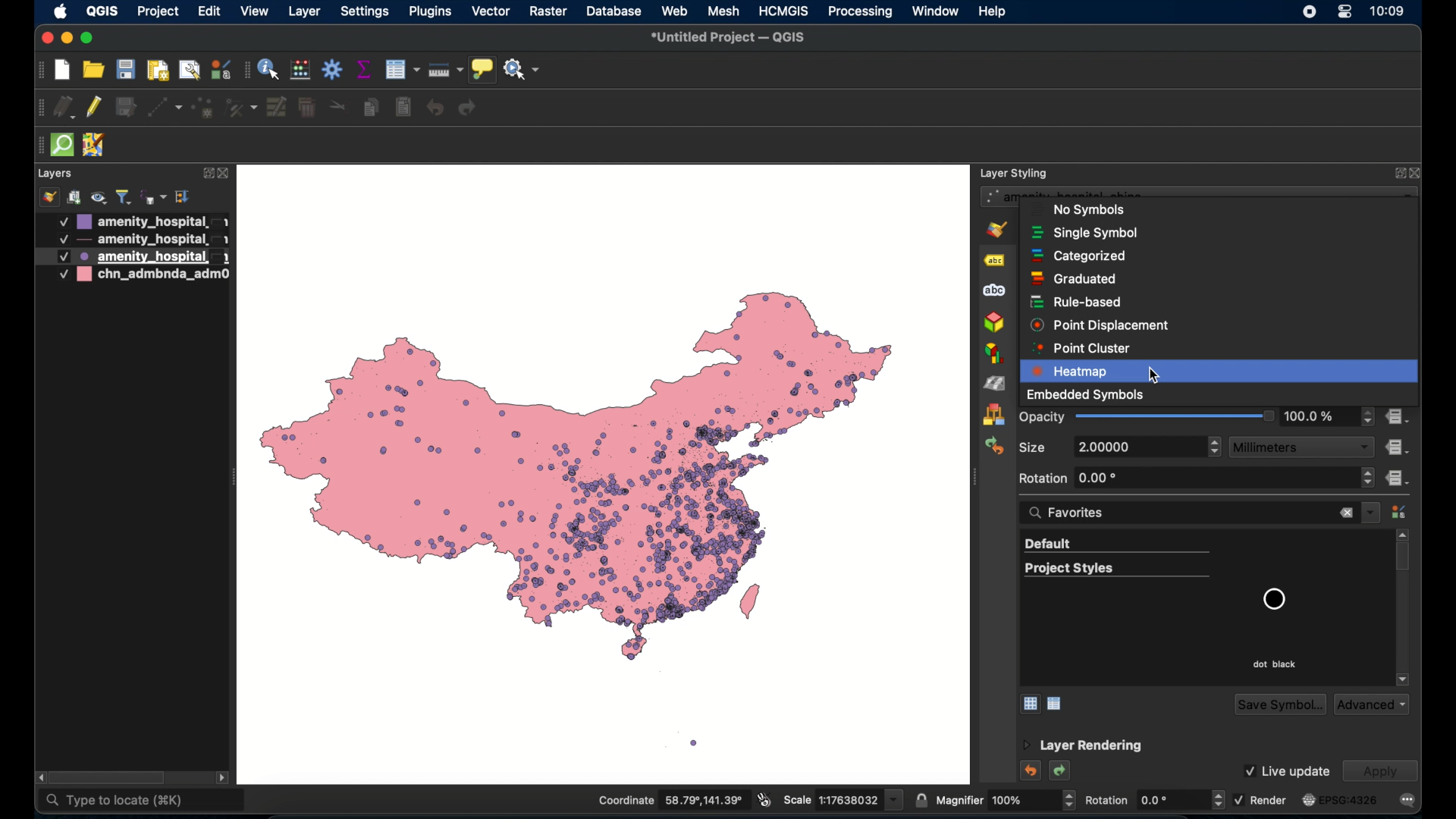 The image size is (1456, 819). What do you see at coordinates (784, 11) in the screenshot?
I see `HCMGIS` at bounding box center [784, 11].